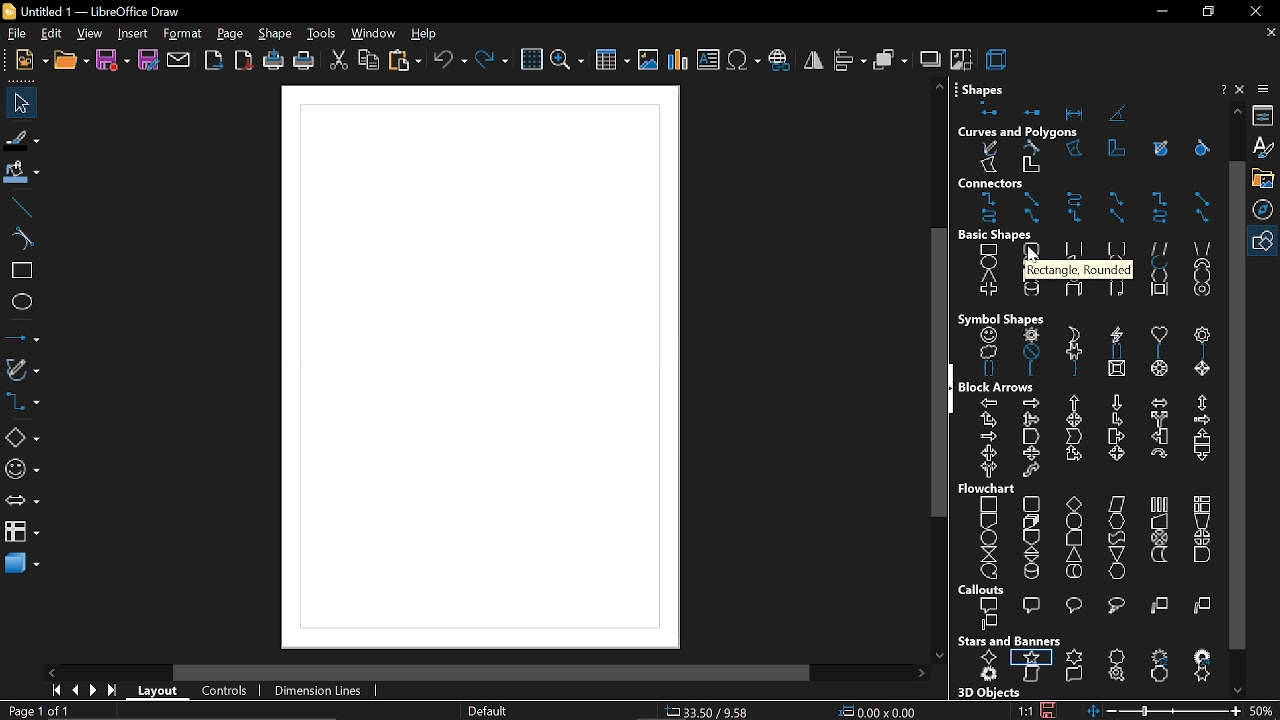 This screenshot has height=720, width=1280. I want to click on restore down, so click(1206, 12).